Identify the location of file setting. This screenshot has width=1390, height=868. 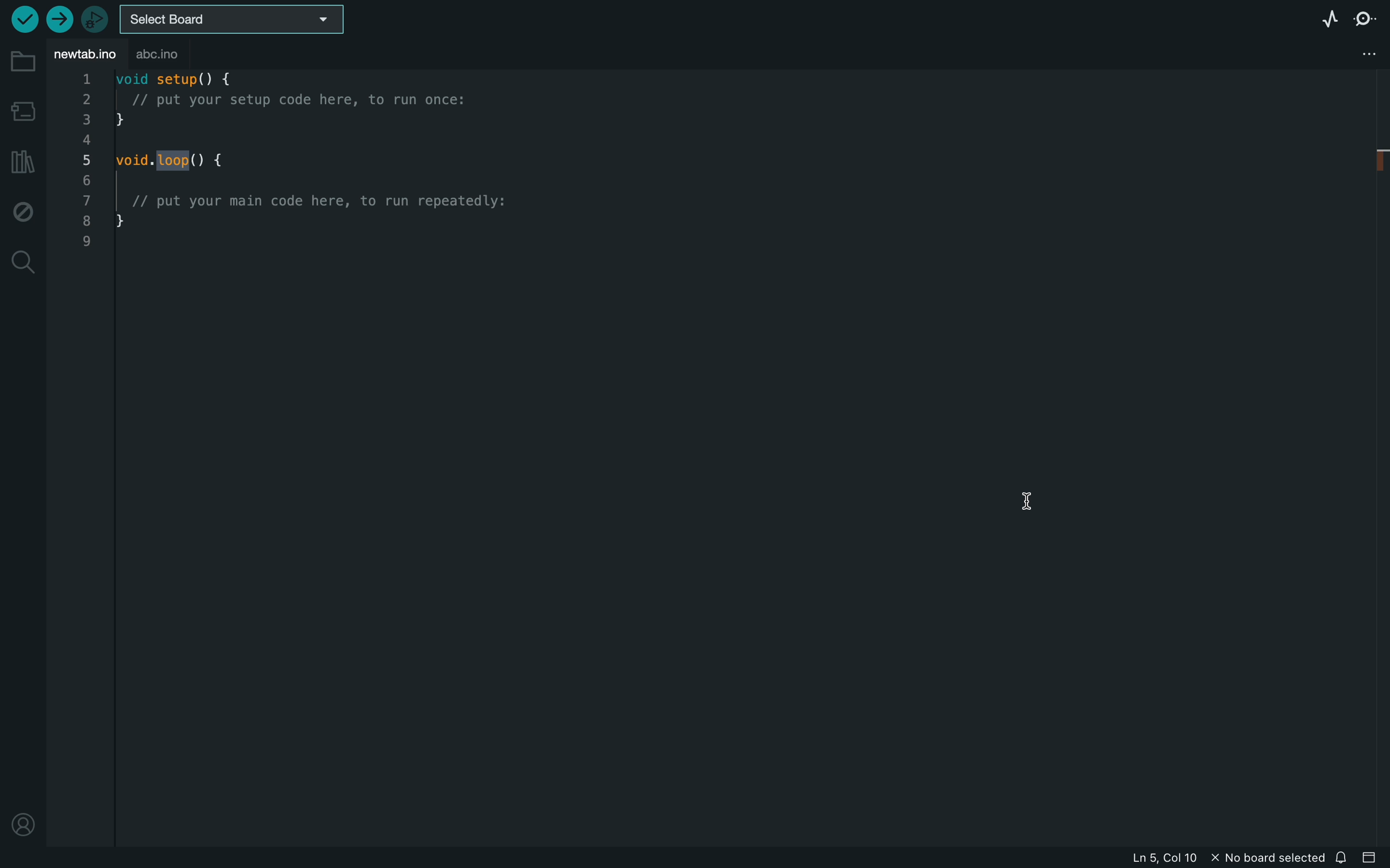
(1359, 53).